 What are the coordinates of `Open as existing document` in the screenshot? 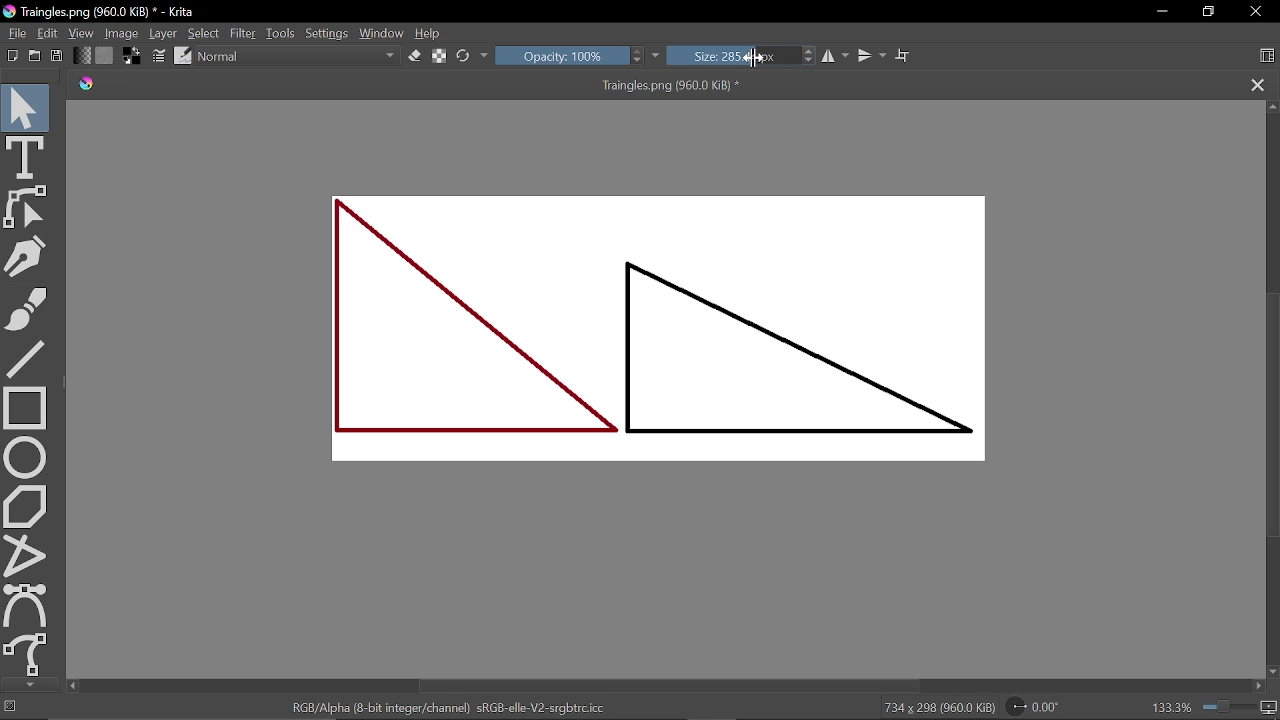 It's located at (35, 56).